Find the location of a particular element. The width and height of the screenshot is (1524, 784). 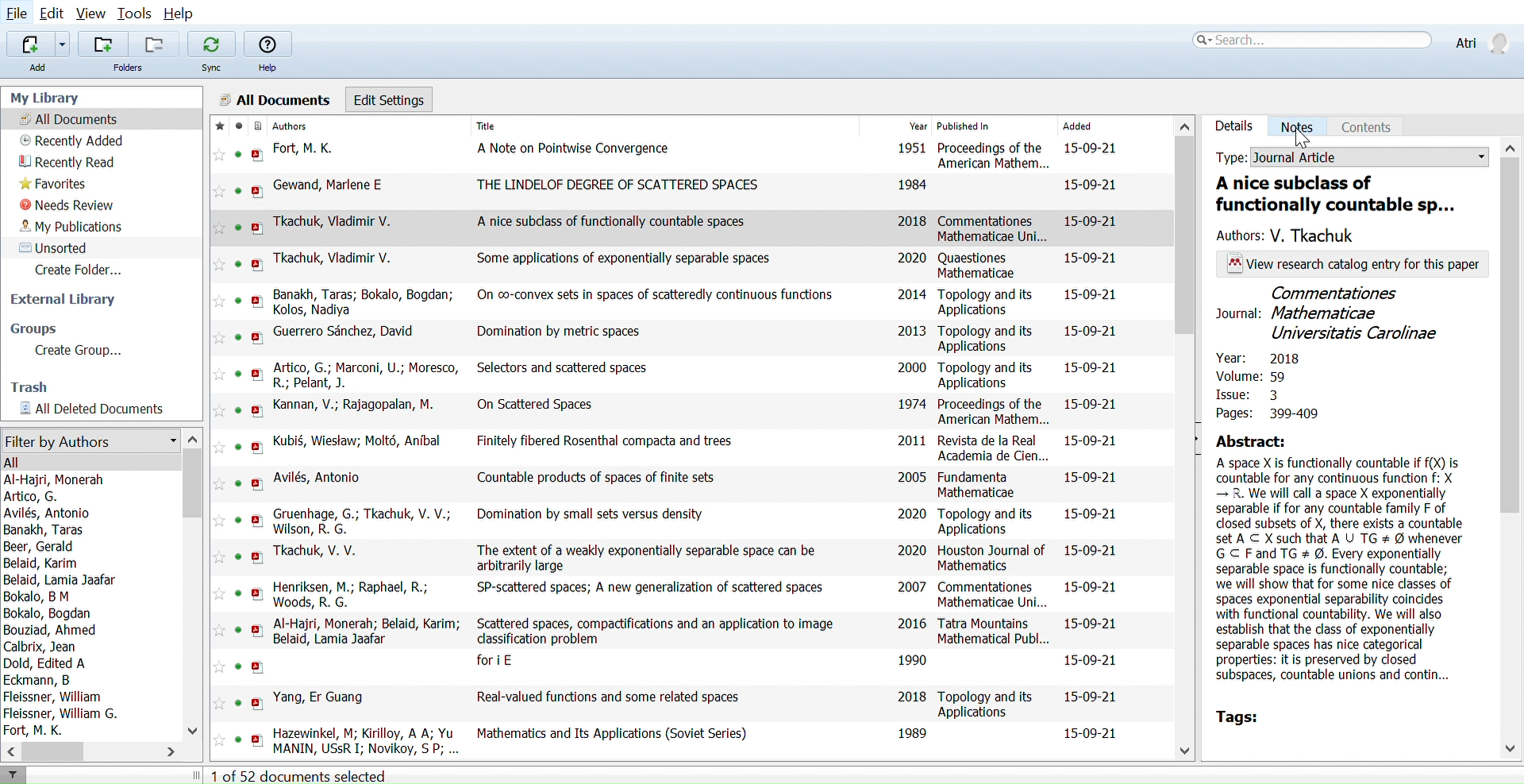

Houston Journal of Mathematics is located at coordinates (991, 557).